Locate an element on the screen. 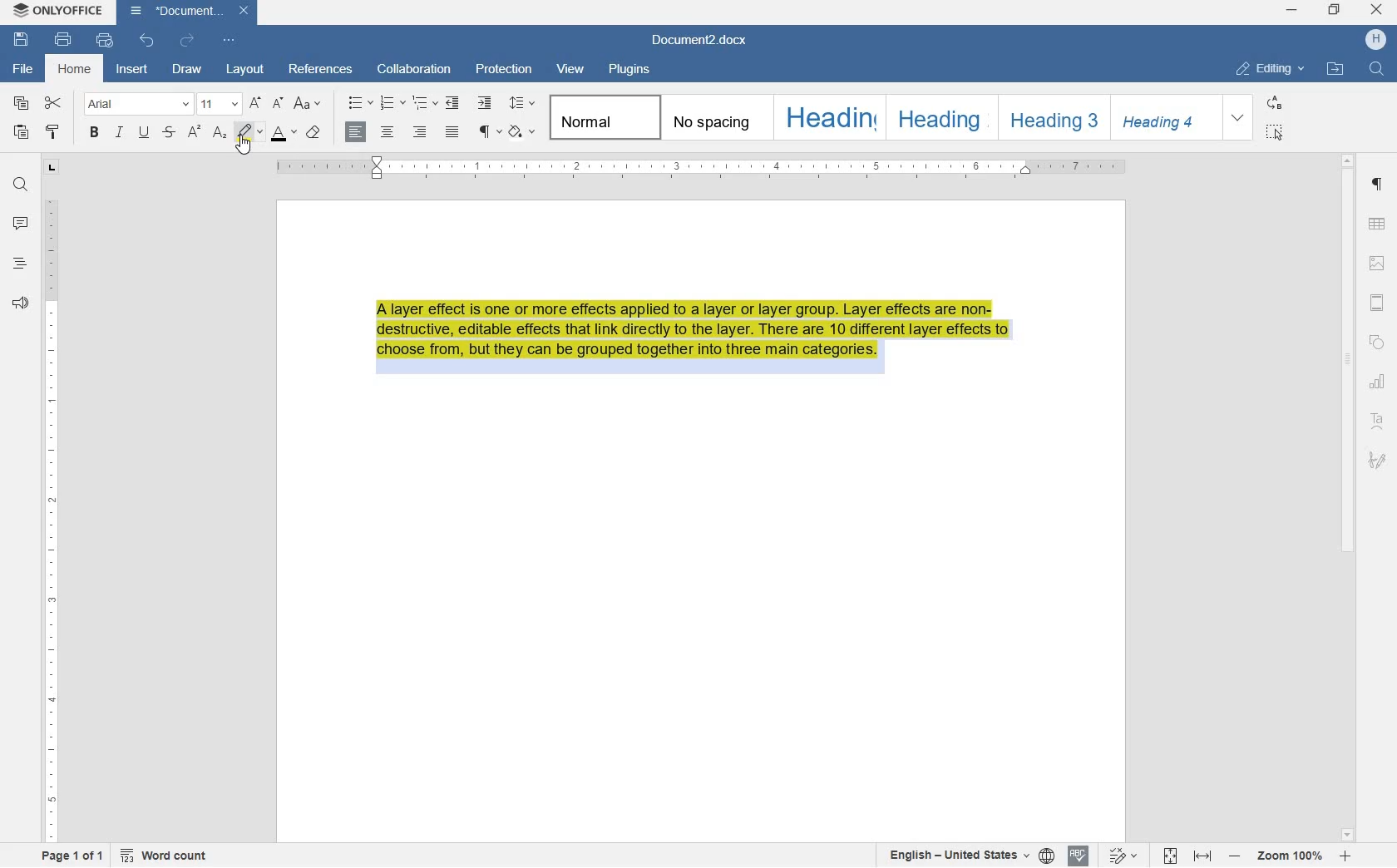  MINIMIZE is located at coordinates (1293, 11).